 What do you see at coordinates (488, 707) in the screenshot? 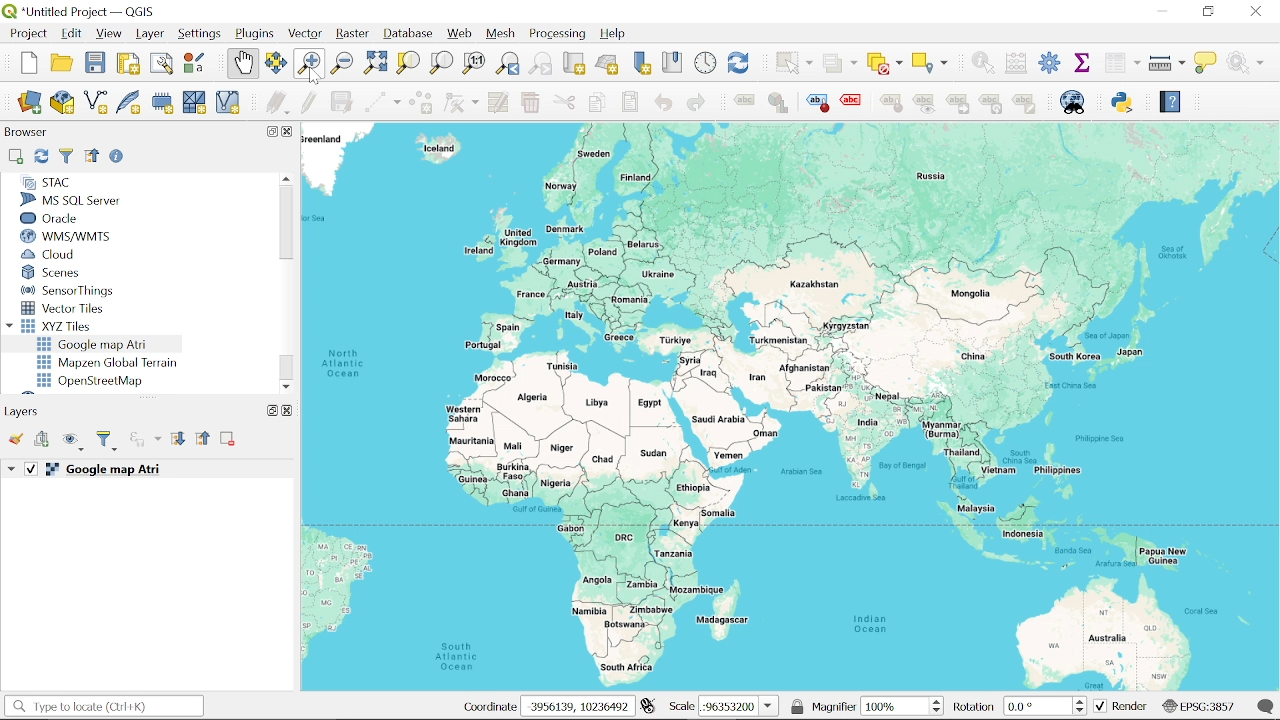
I see `co-ordinate` at bounding box center [488, 707].